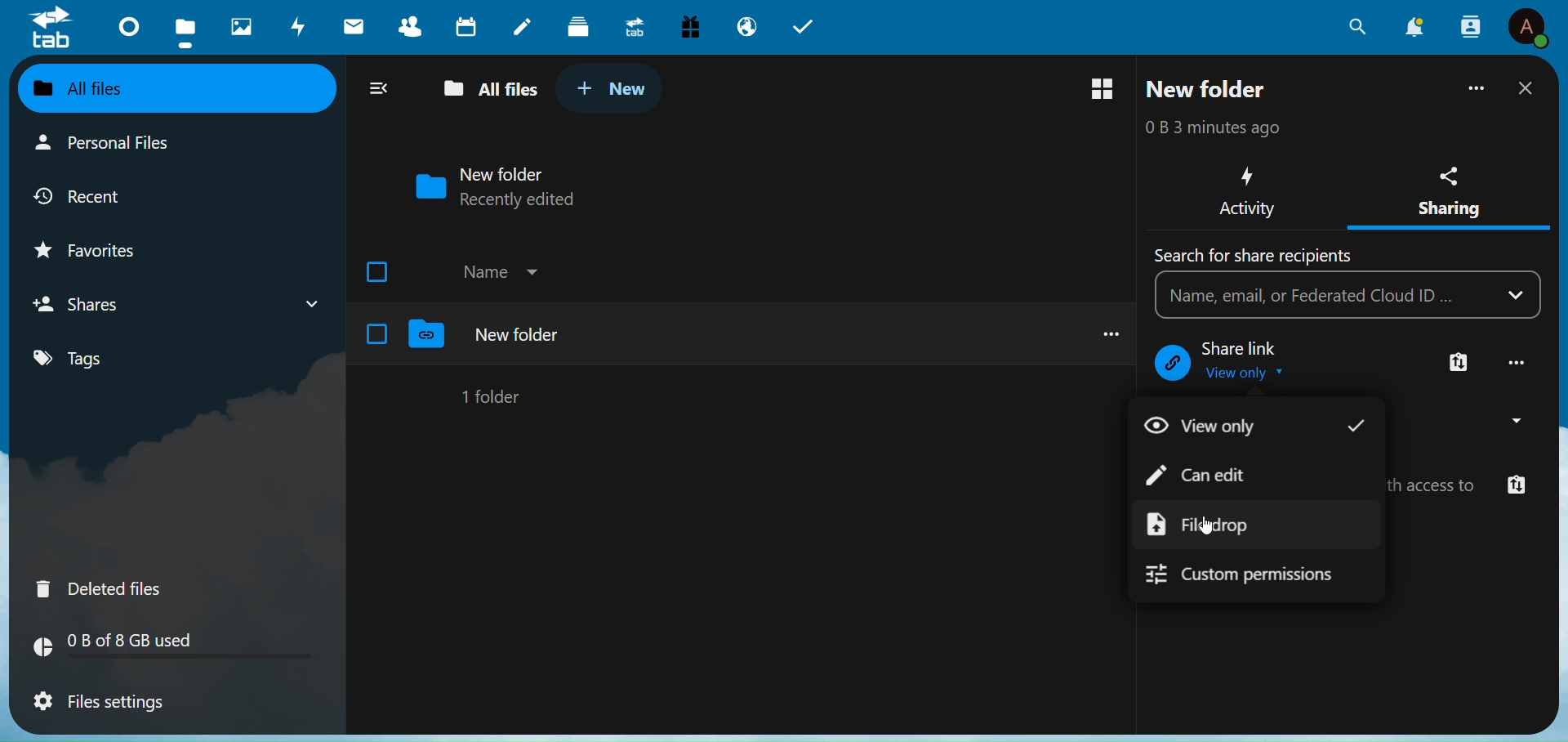 This screenshot has width=1568, height=742. What do you see at coordinates (176, 649) in the screenshot?
I see `GB Used` at bounding box center [176, 649].